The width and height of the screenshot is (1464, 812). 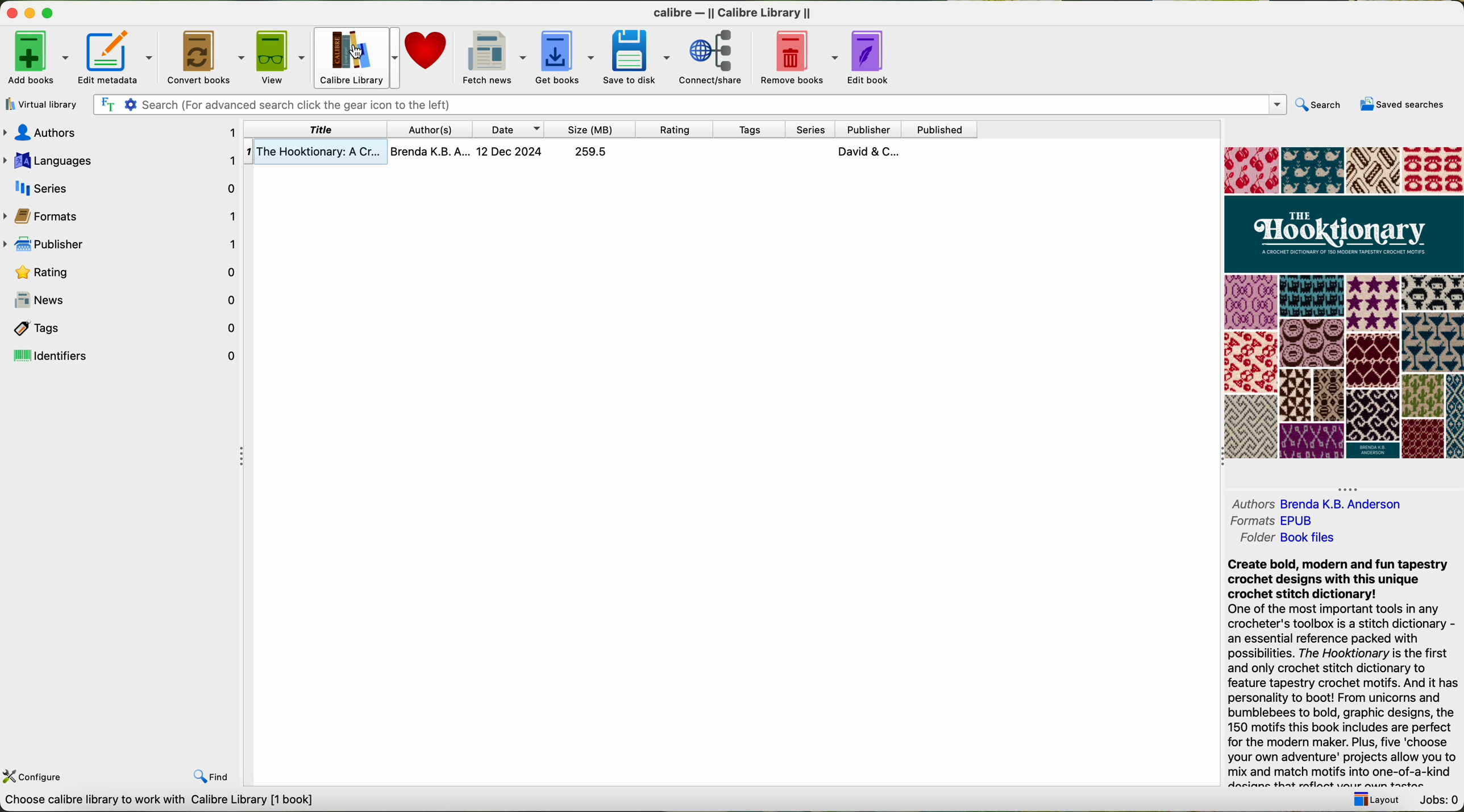 I want to click on layout, so click(x=1379, y=802).